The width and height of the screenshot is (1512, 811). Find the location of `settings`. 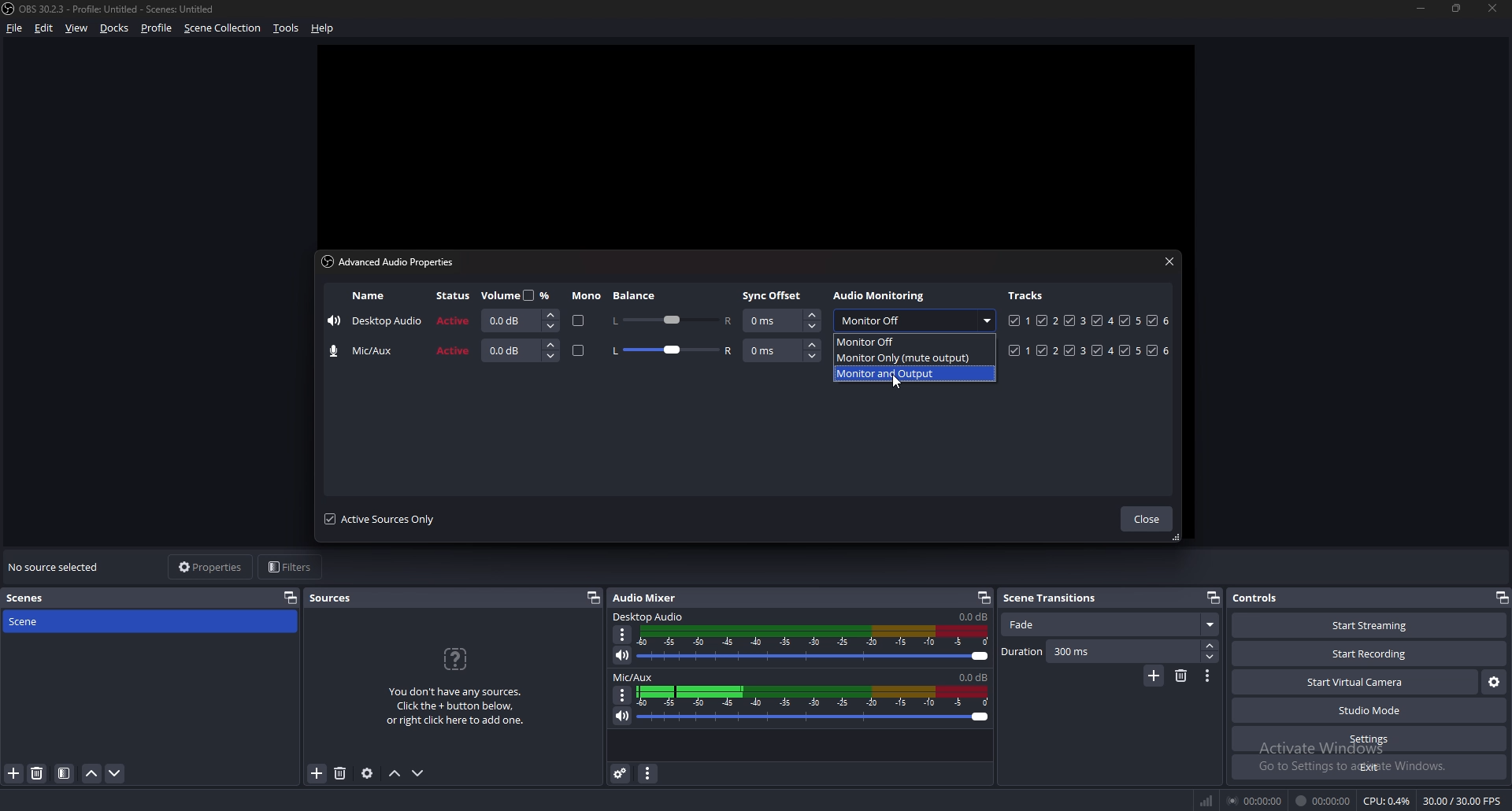

settings is located at coordinates (1369, 739).